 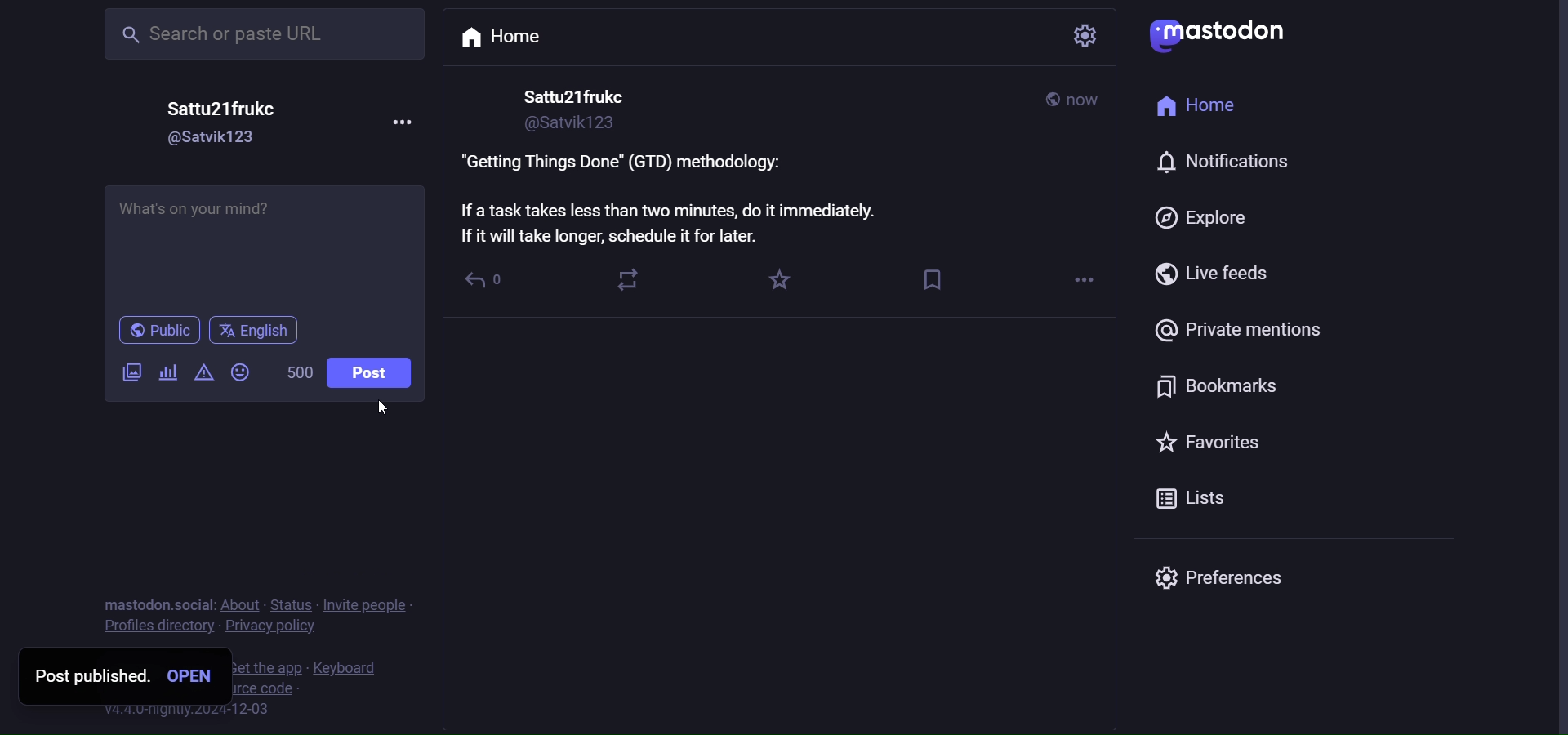 I want to click on favorites, so click(x=780, y=280).